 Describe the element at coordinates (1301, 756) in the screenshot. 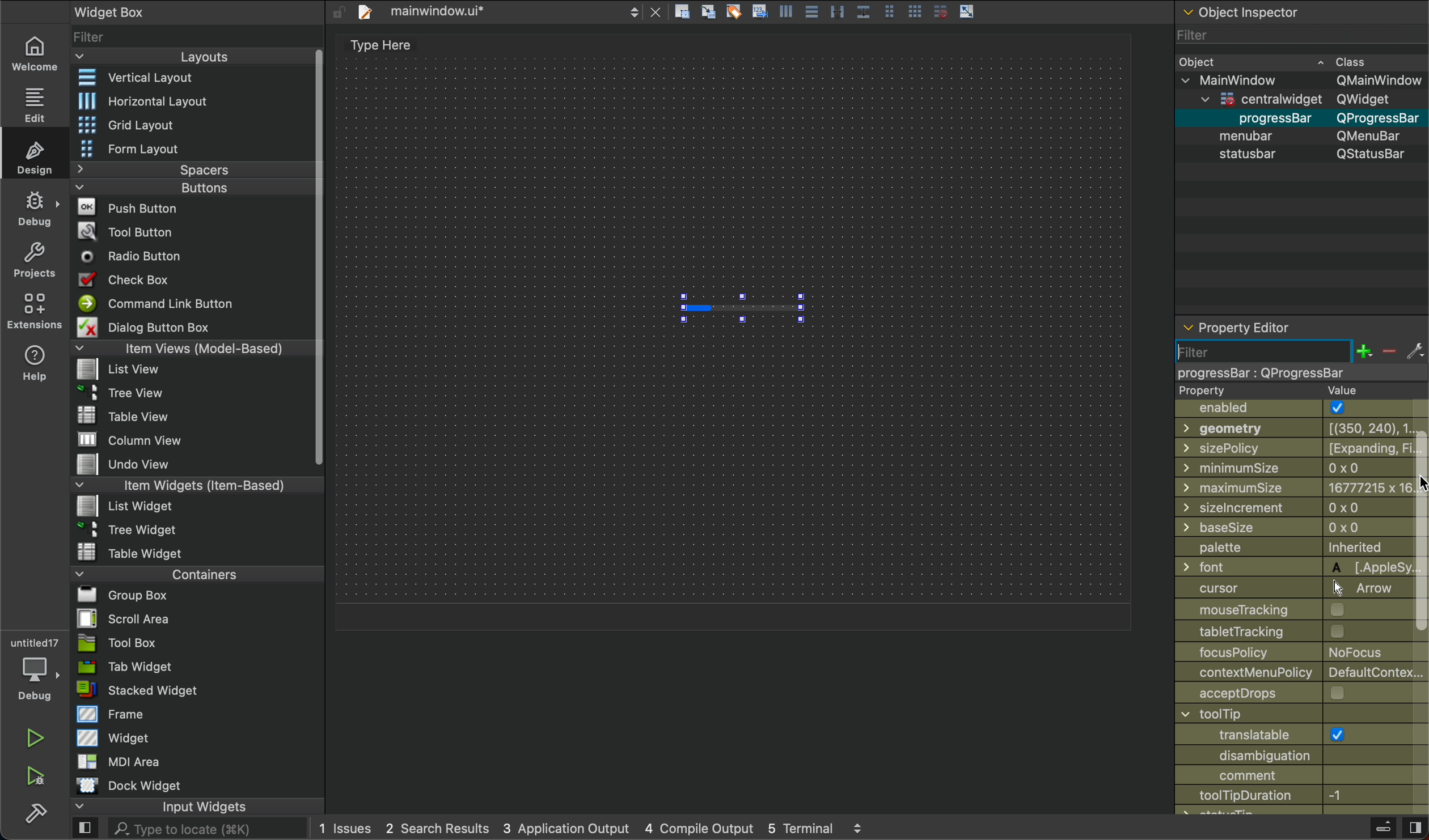

I see `Disambiguating ` at that location.